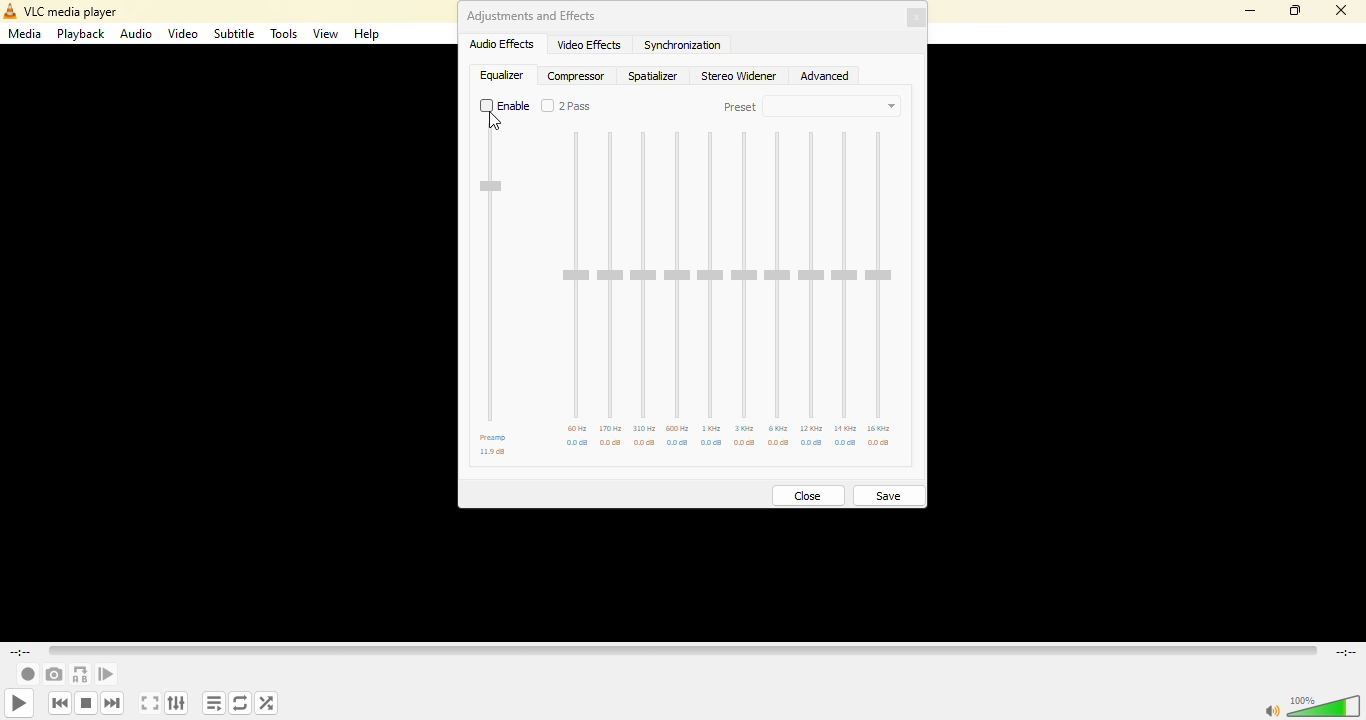 The height and width of the screenshot is (720, 1366). I want to click on toggle playlist, so click(213, 703).